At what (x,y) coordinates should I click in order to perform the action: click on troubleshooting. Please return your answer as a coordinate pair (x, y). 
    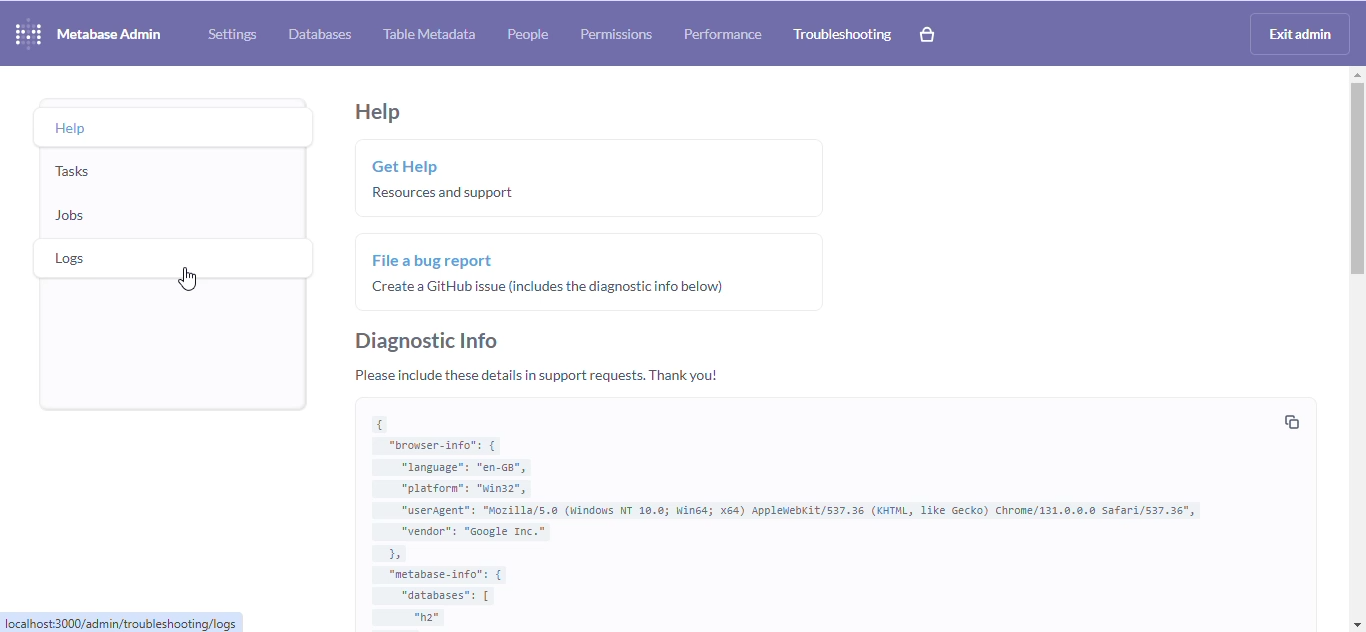
    Looking at the image, I should click on (843, 35).